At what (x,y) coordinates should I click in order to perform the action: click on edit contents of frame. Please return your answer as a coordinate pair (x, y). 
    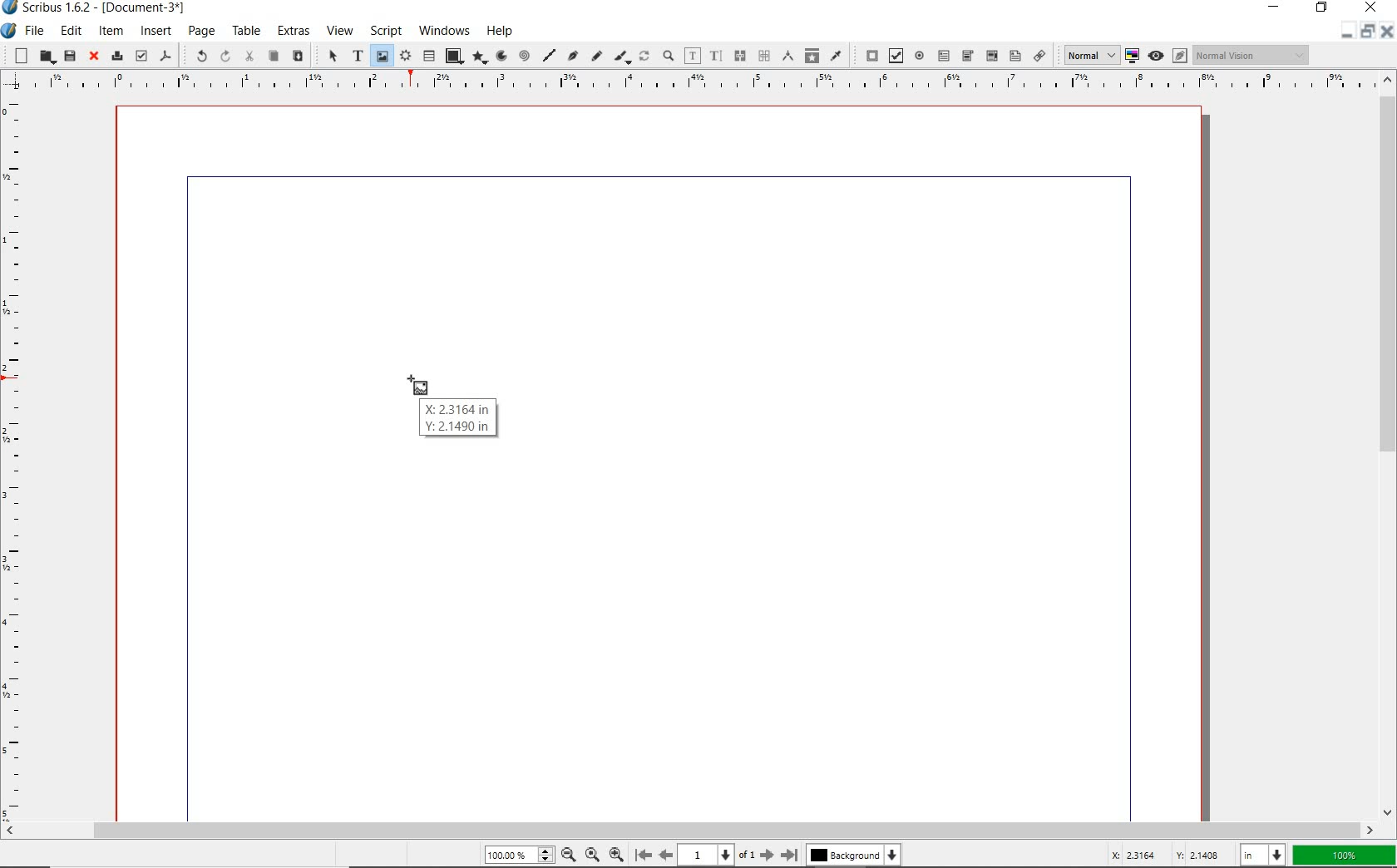
    Looking at the image, I should click on (692, 55).